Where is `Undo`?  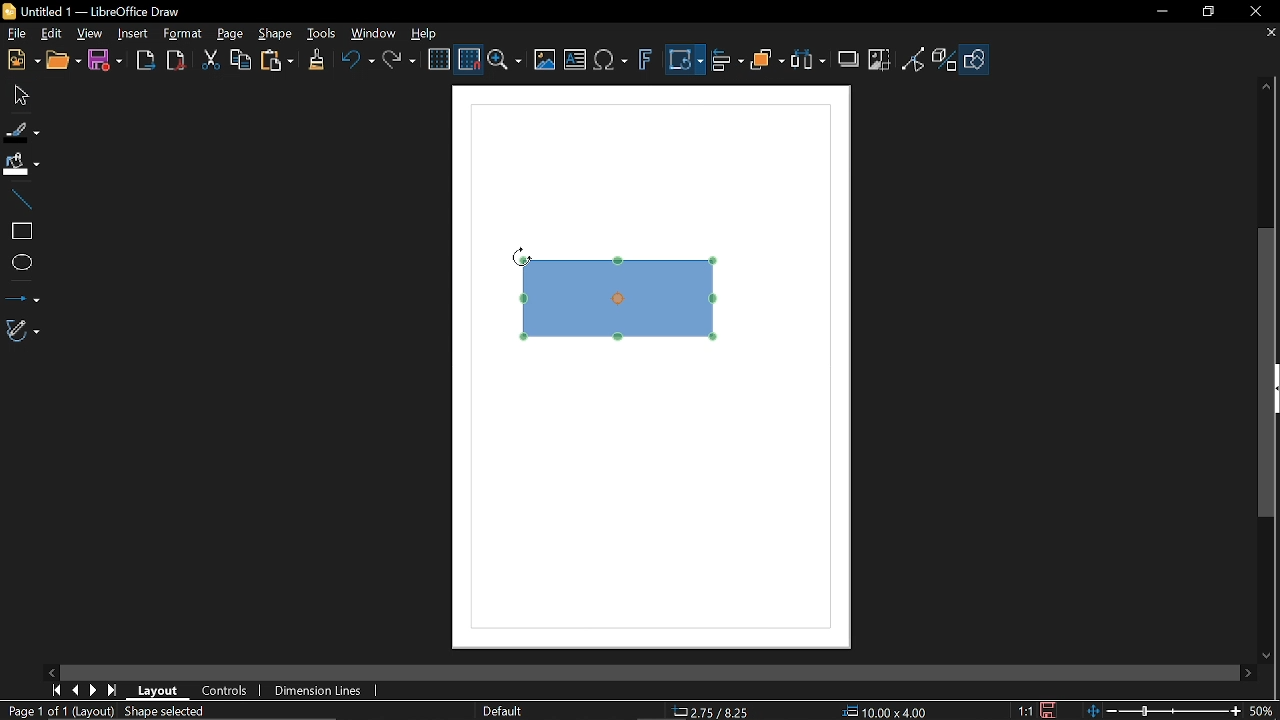 Undo is located at coordinates (355, 63).